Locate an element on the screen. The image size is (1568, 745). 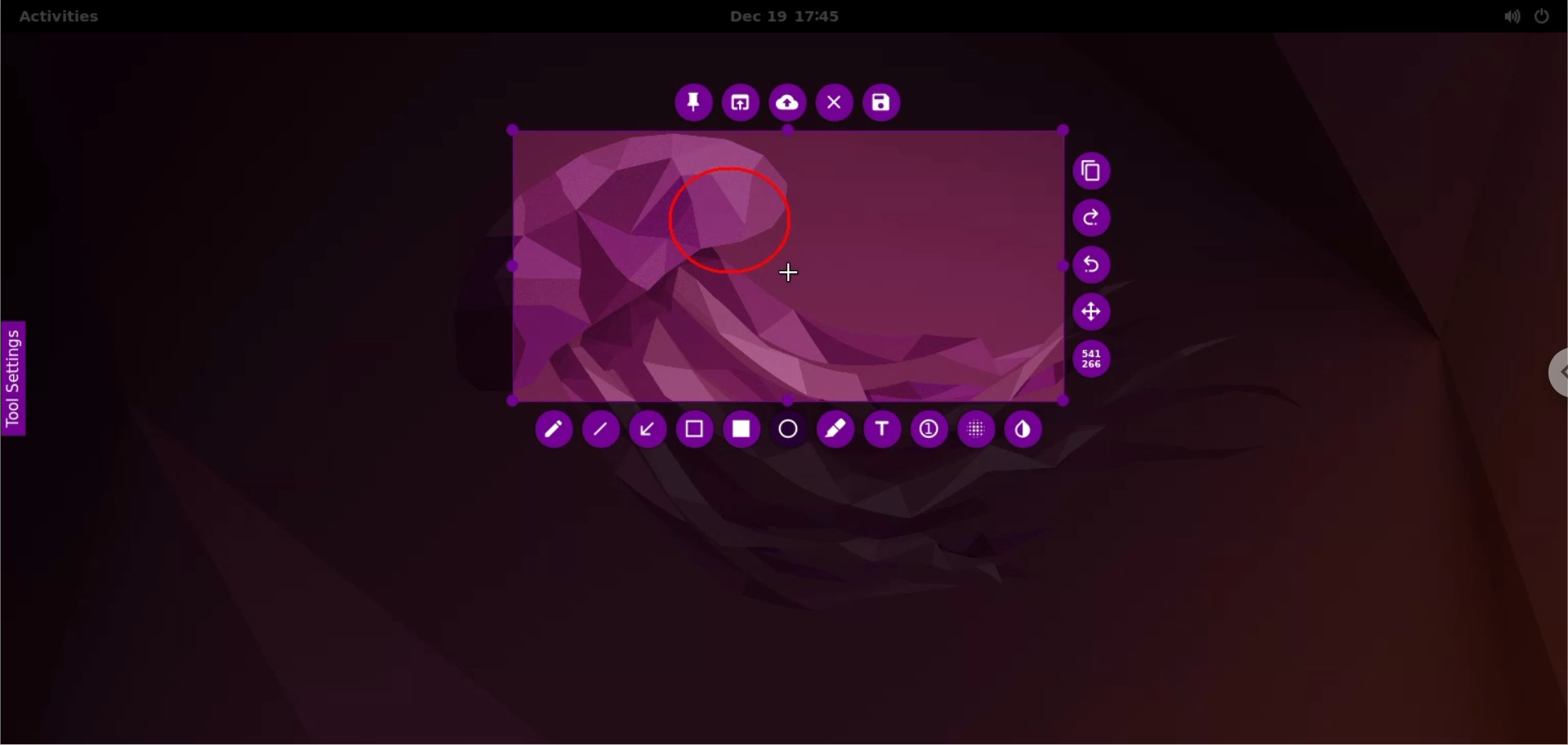
arrow tool is located at coordinates (650, 430).